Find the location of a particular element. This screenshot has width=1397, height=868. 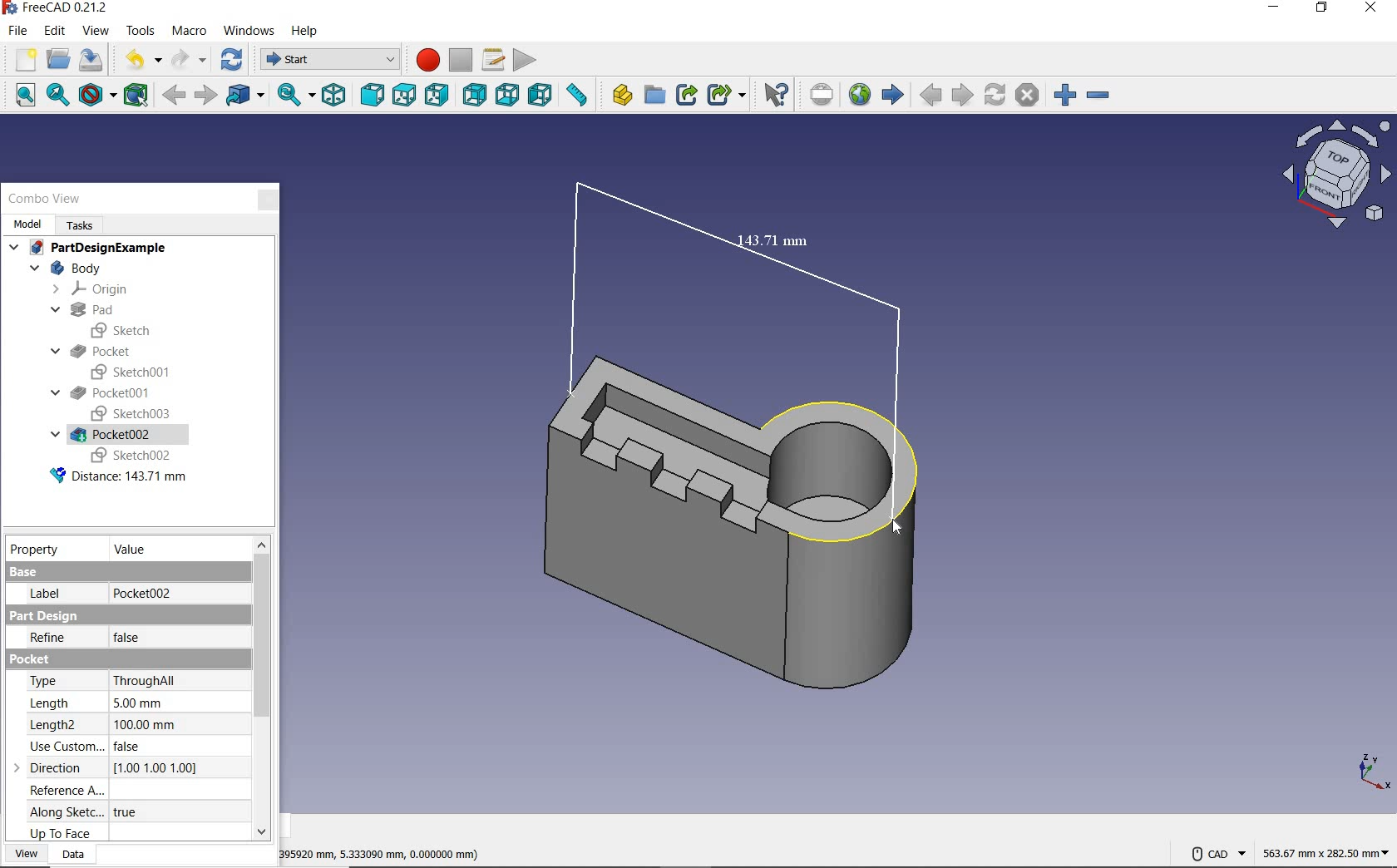

SKETCH001 is located at coordinates (134, 371).